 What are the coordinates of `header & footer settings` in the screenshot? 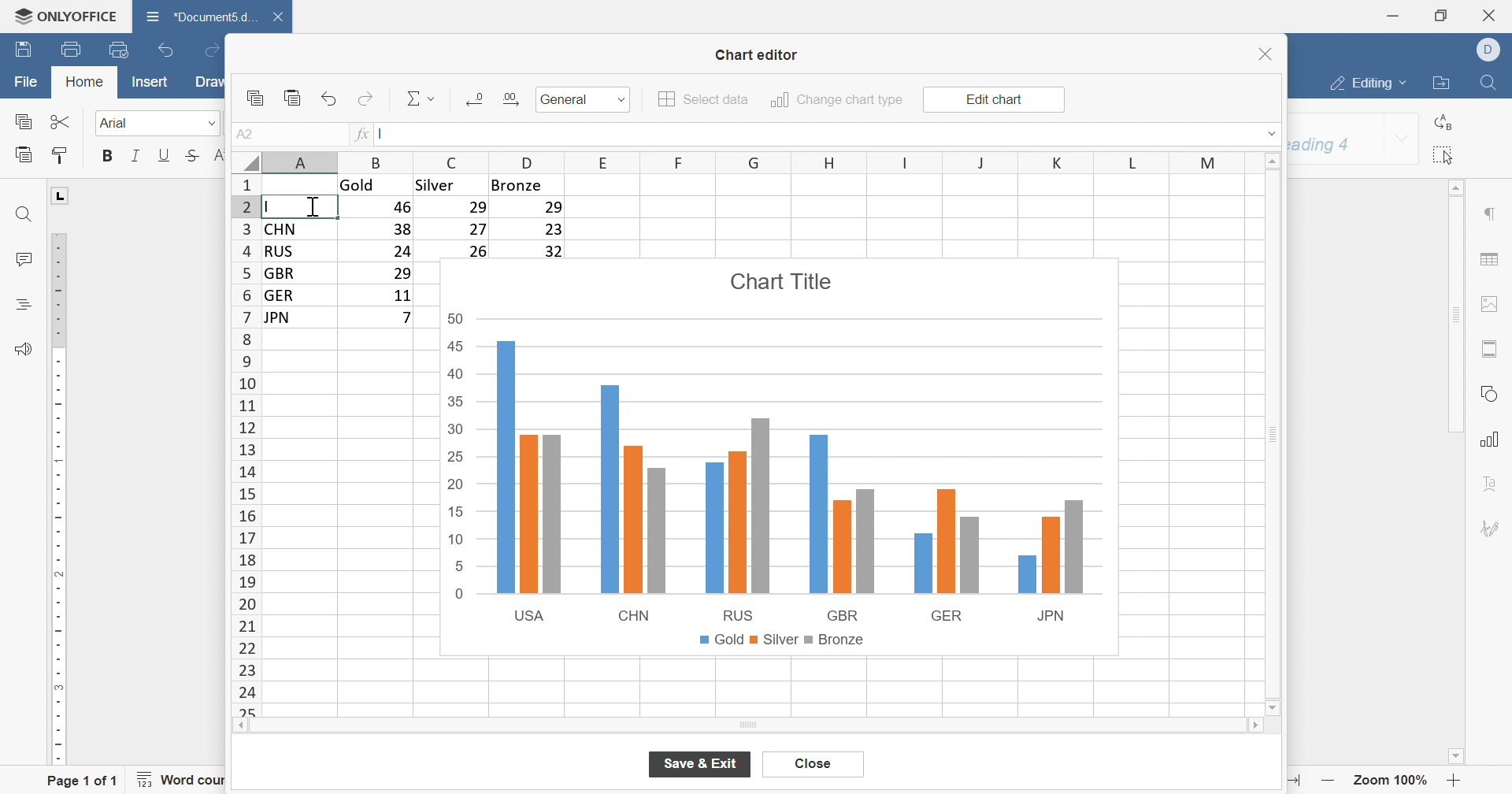 It's located at (1492, 350).